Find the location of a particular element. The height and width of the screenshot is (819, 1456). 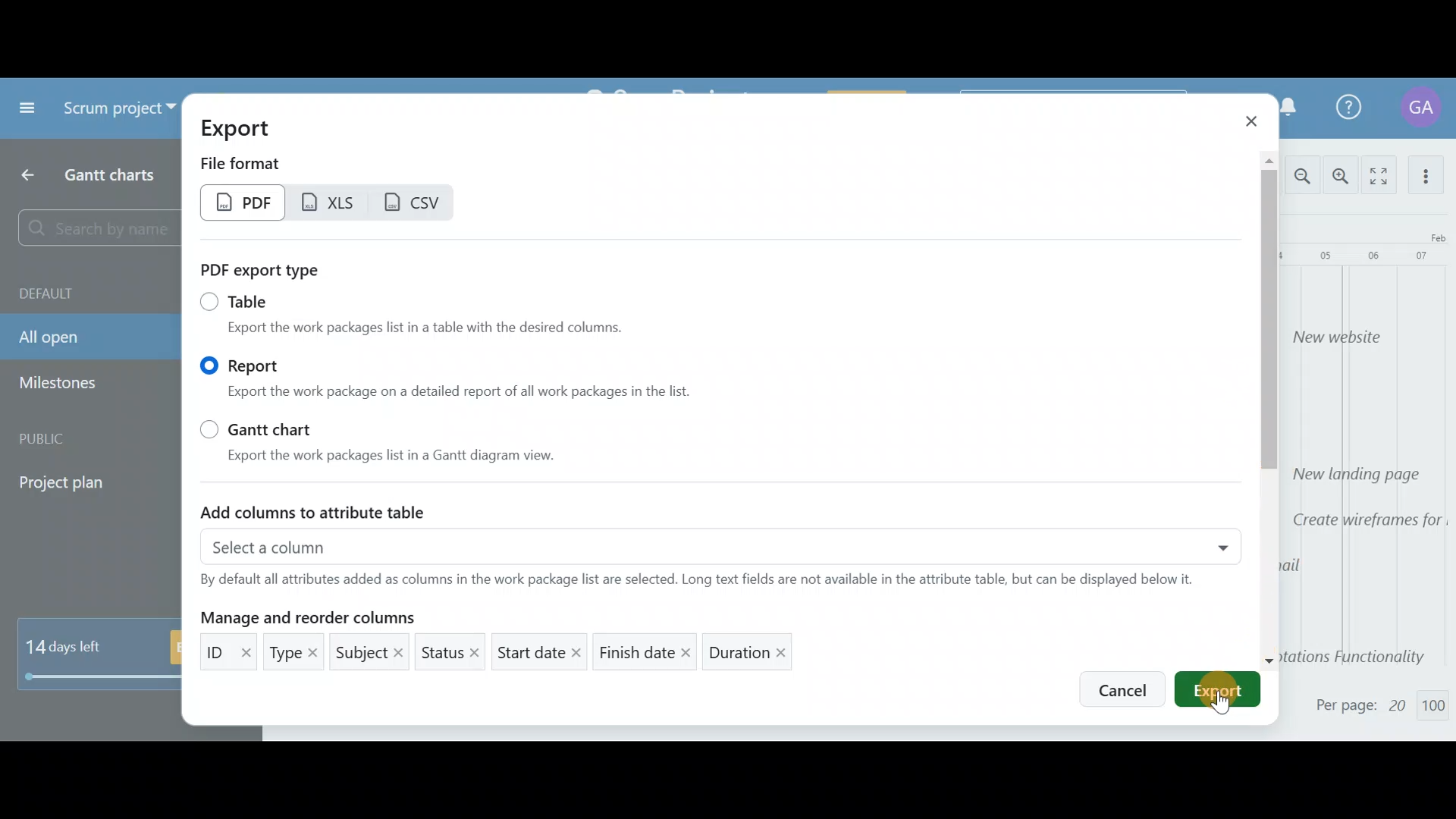

Help is located at coordinates (1352, 105).